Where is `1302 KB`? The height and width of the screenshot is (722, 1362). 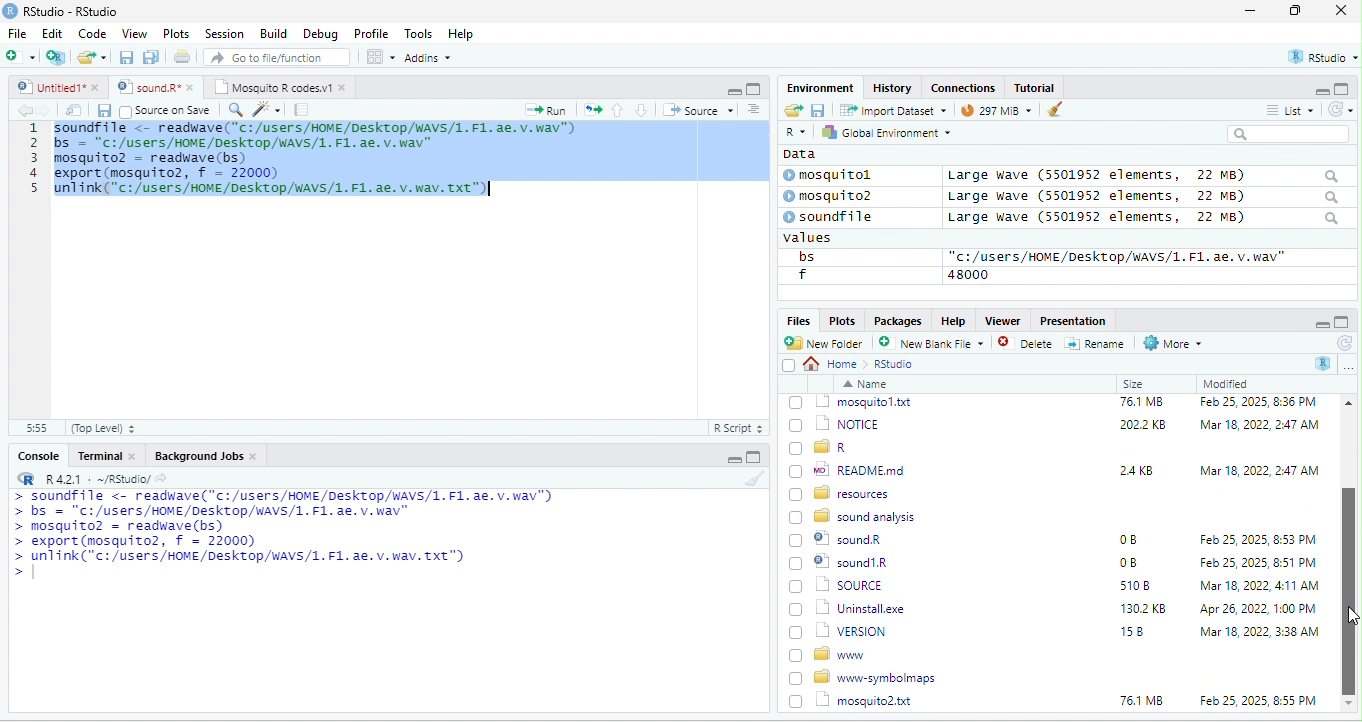 1302 KB is located at coordinates (1145, 704).